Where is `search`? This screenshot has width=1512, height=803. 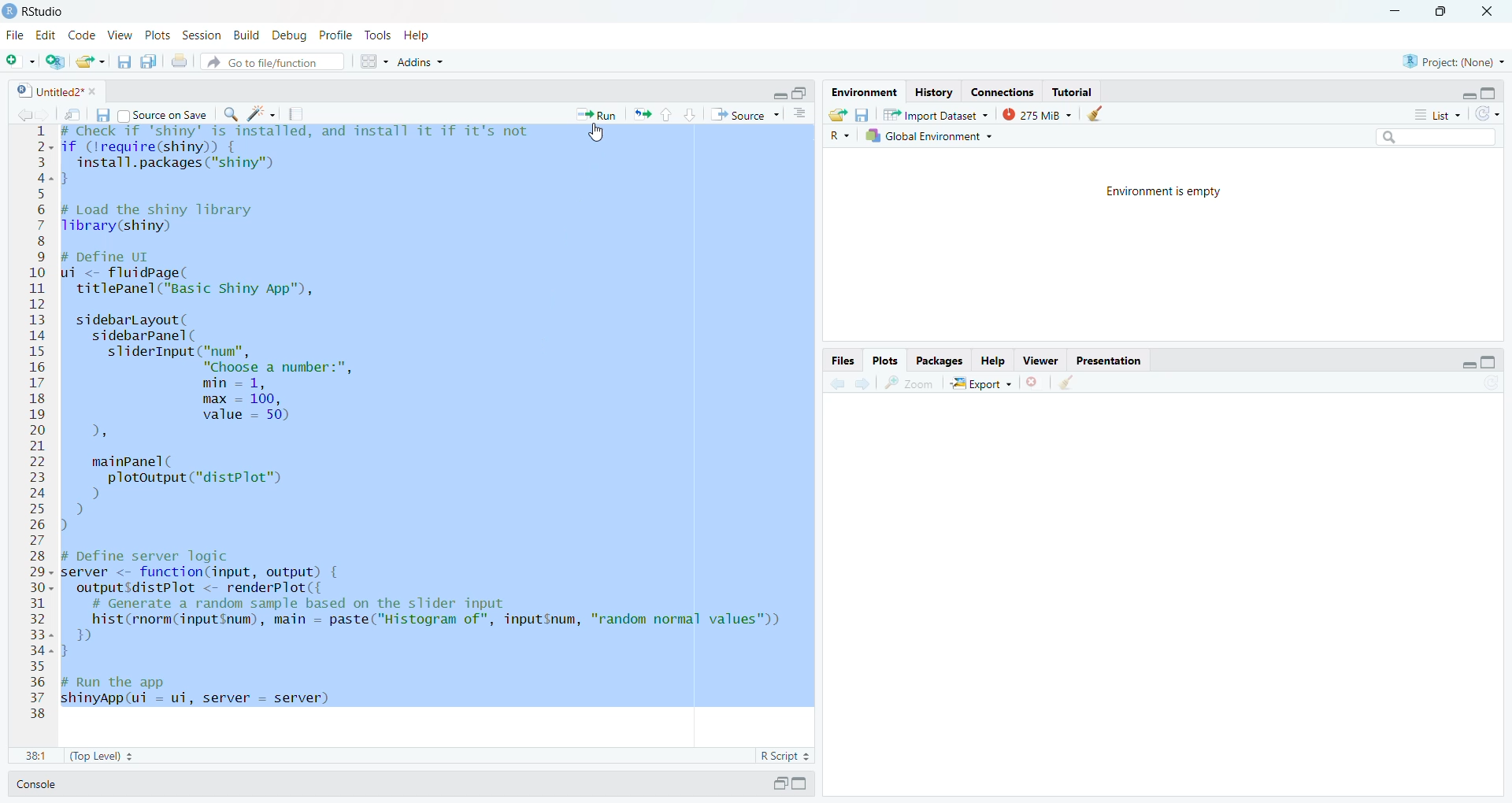 search is located at coordinates (1437, 136).